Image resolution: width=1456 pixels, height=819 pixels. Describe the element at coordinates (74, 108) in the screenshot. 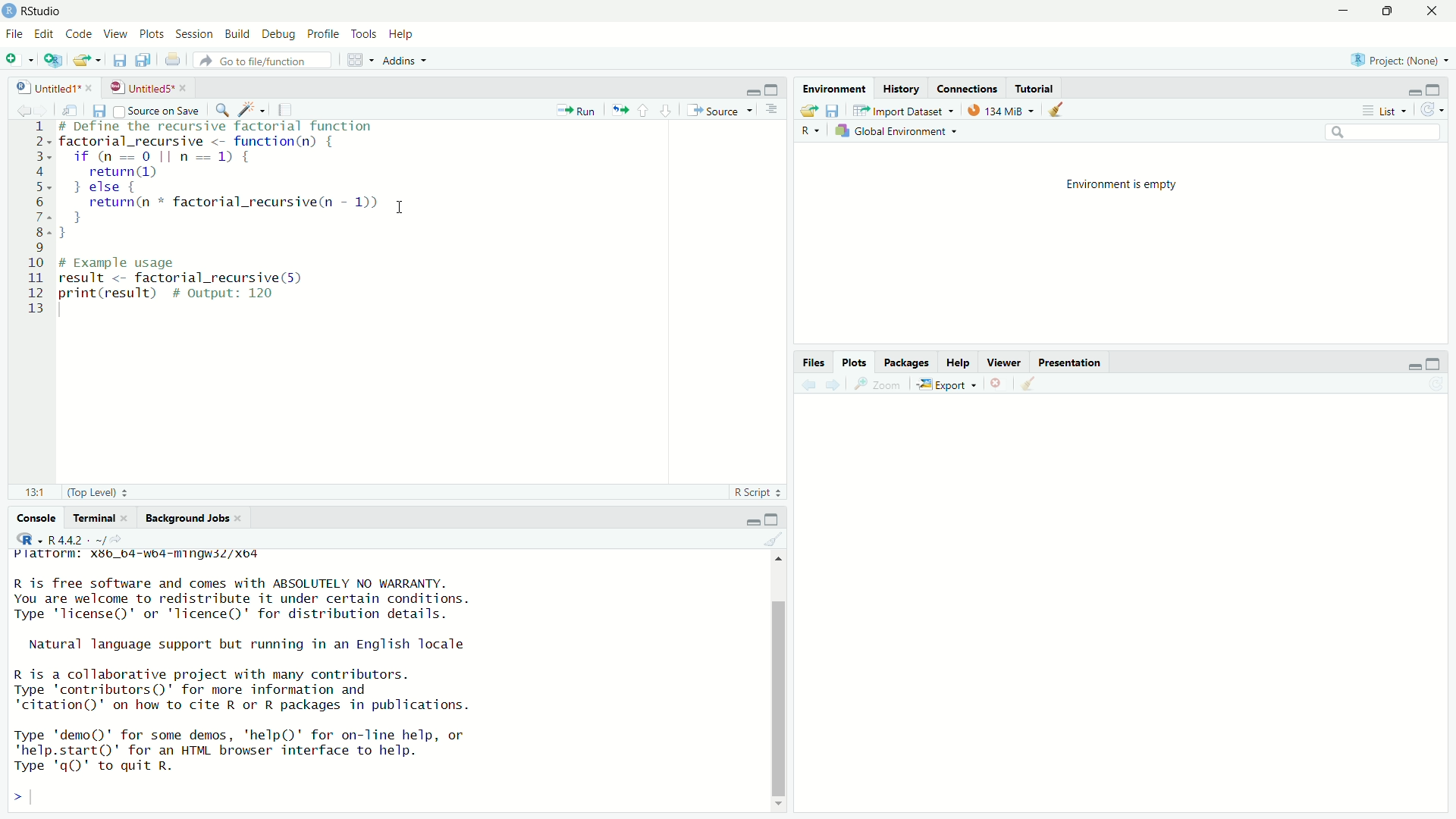

I see `Show in new window` at that location.